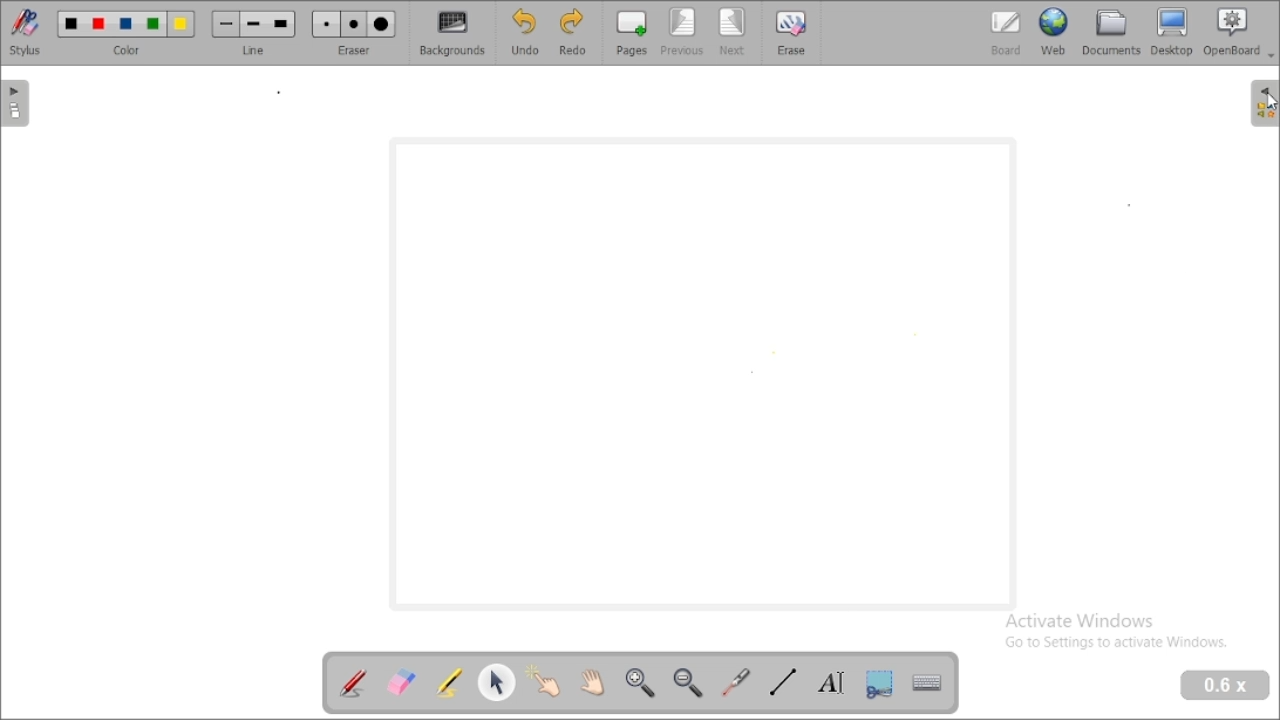 The height and width of the screenshot is (720, 1280). Describe the element at coordinates (792, 32) in the screenshot. I see `erase` at that location.